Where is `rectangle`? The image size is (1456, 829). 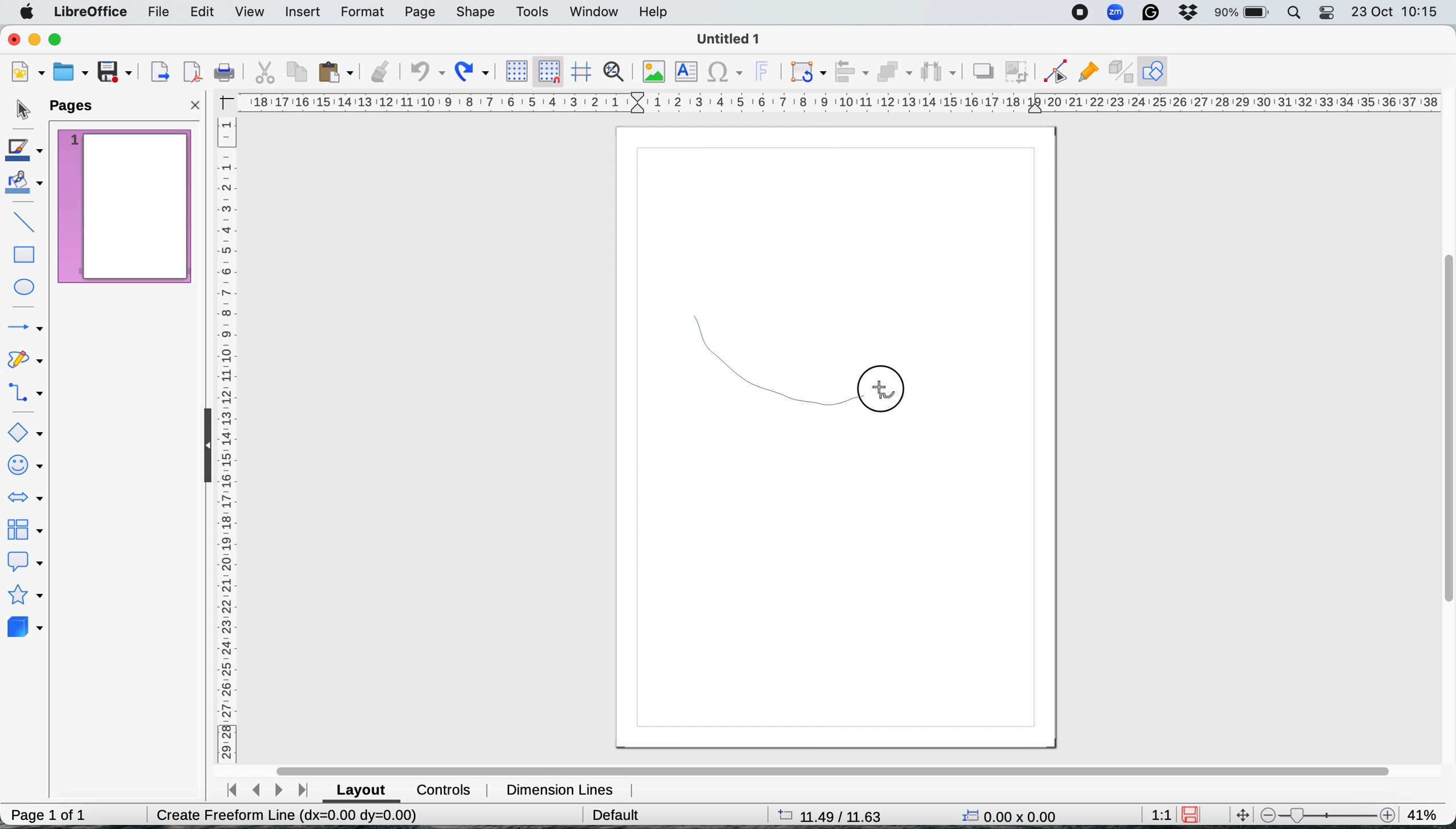 rectangle is located at coordinates (25, 254).